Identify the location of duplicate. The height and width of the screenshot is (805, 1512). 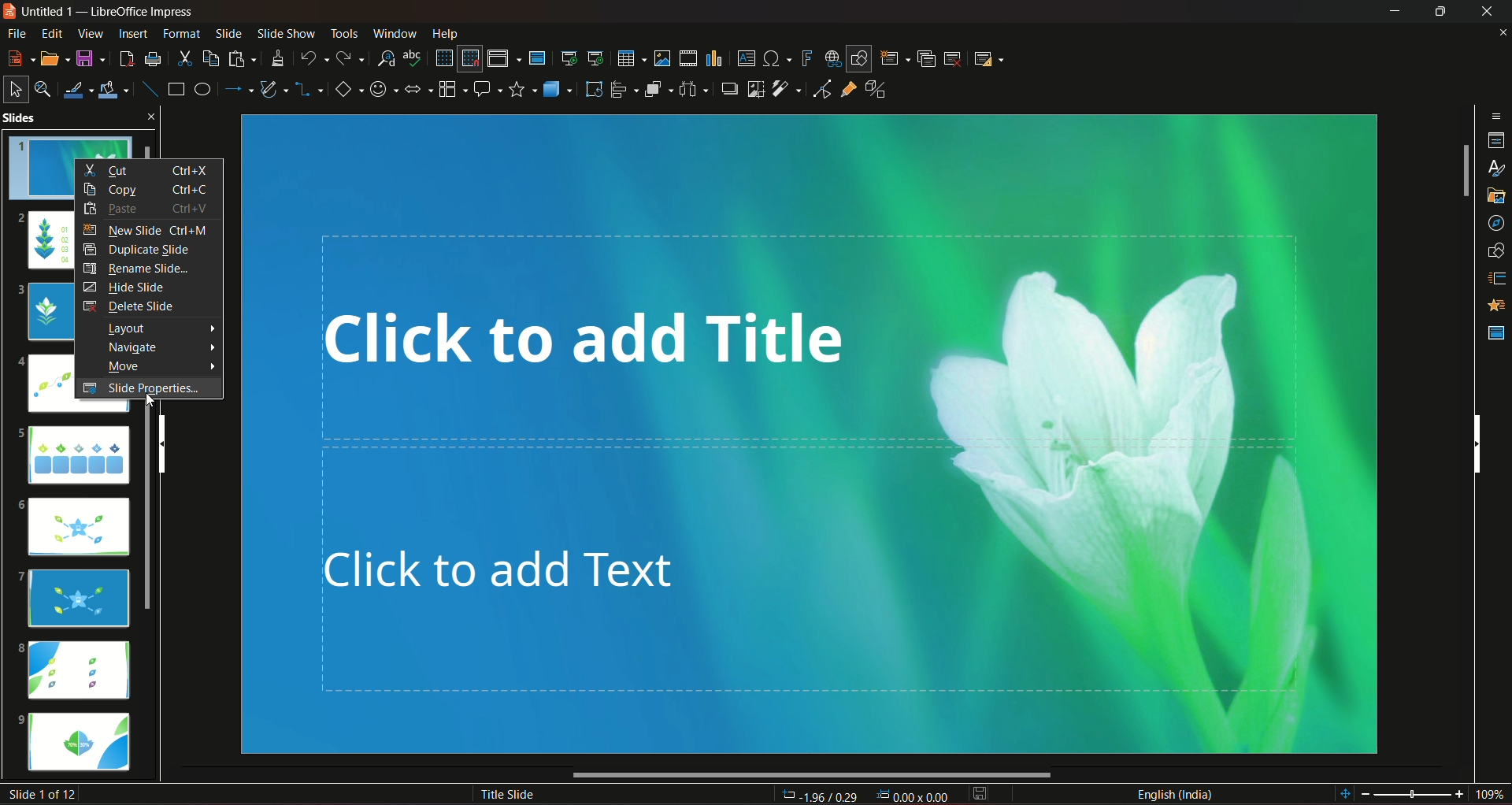
(926, 57).